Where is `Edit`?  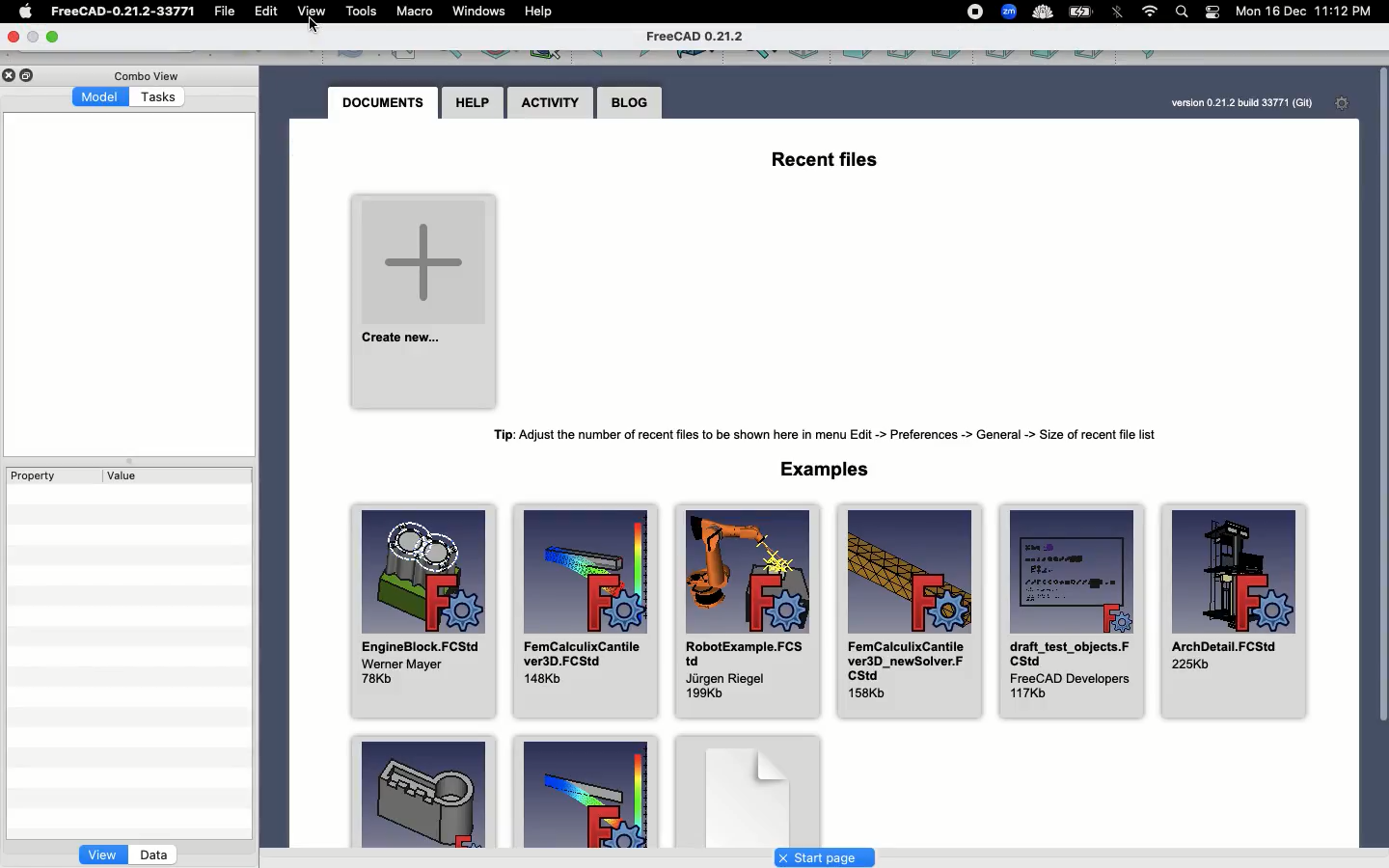
Edit is located at coordinates (264, 14).